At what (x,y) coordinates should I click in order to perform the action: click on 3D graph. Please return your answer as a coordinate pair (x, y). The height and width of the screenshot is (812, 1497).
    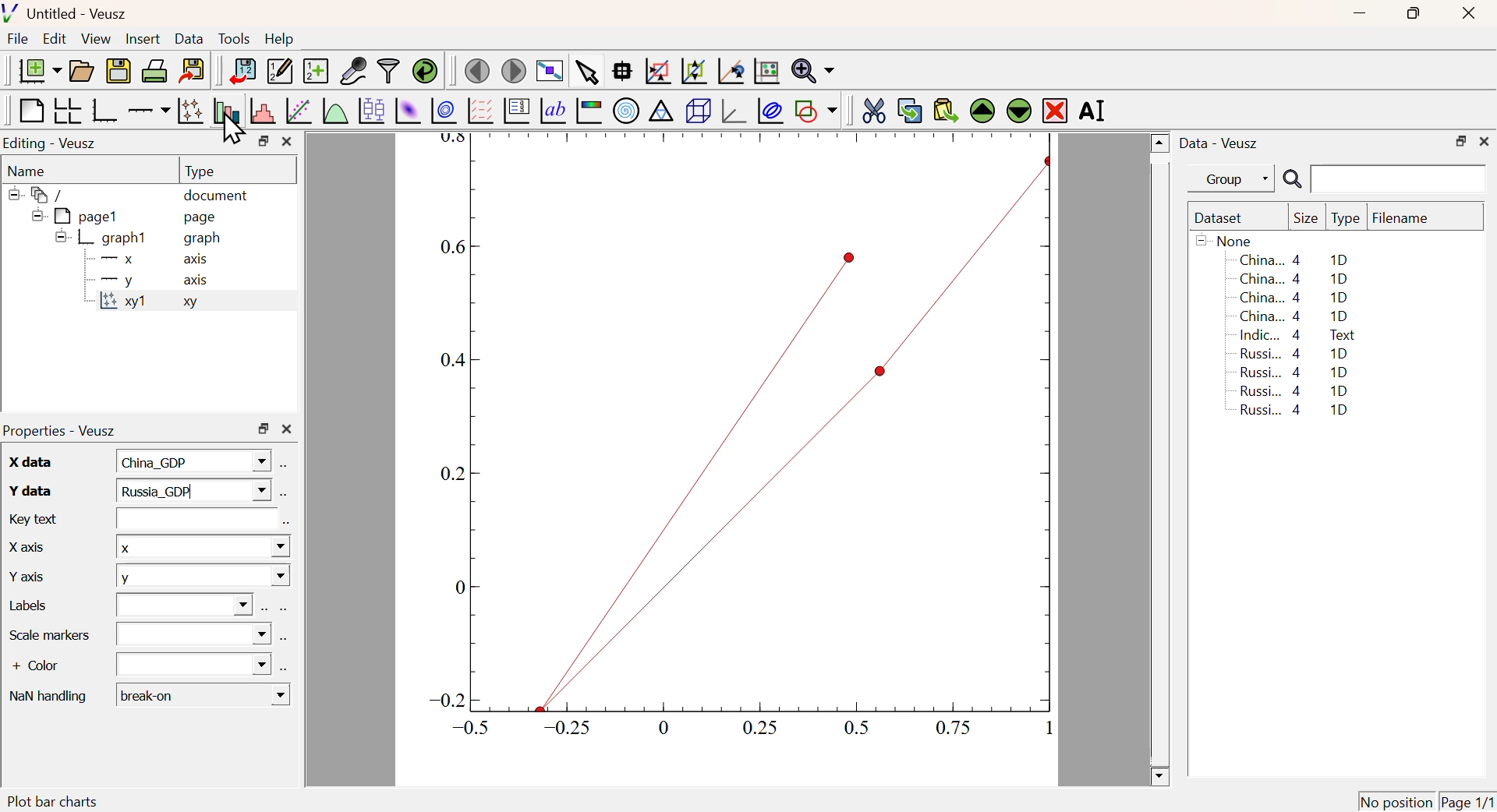
    Looking at the image, I should click on (735, 112).